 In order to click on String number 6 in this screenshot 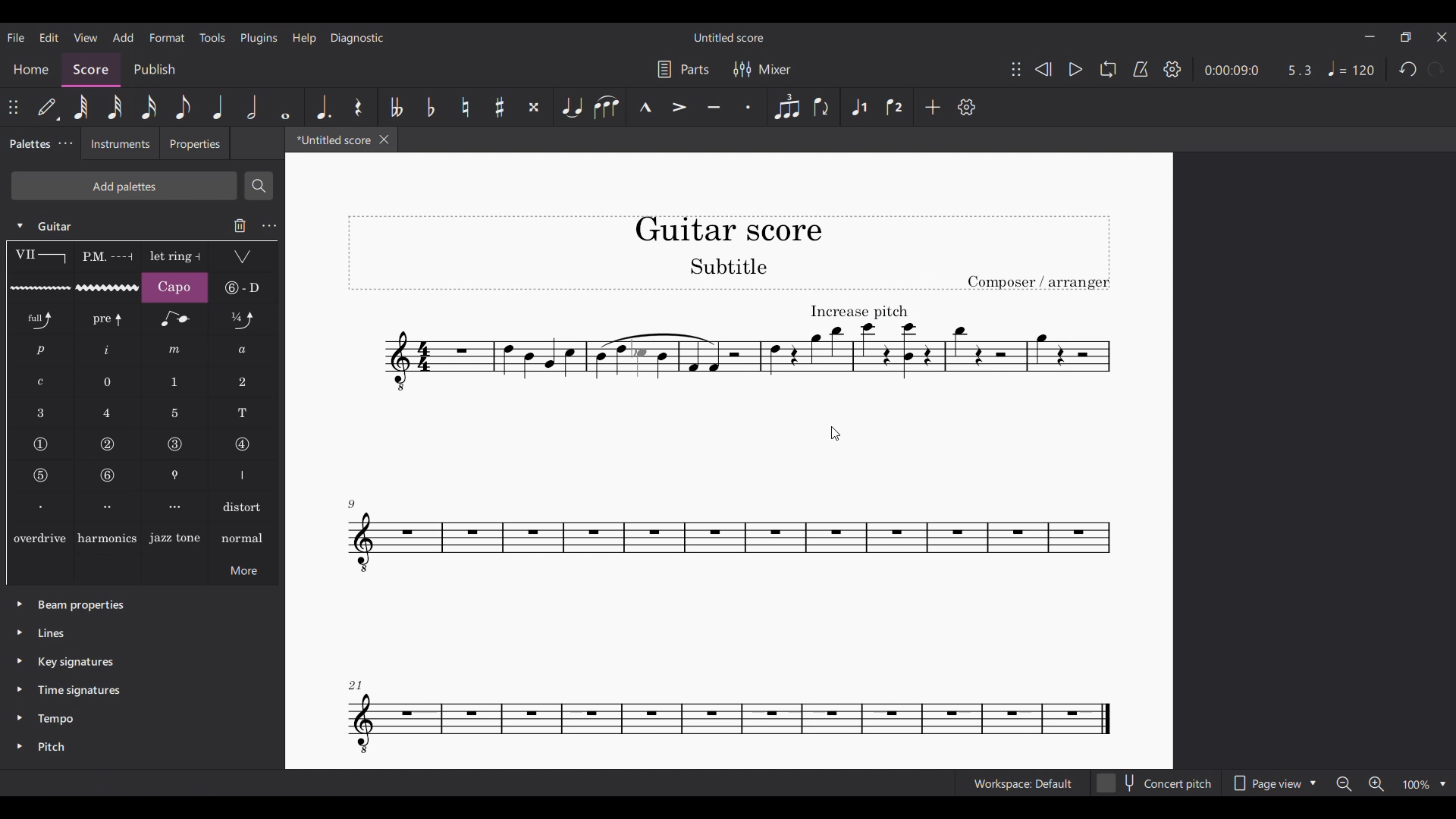, I will do `click(108, 475)`.